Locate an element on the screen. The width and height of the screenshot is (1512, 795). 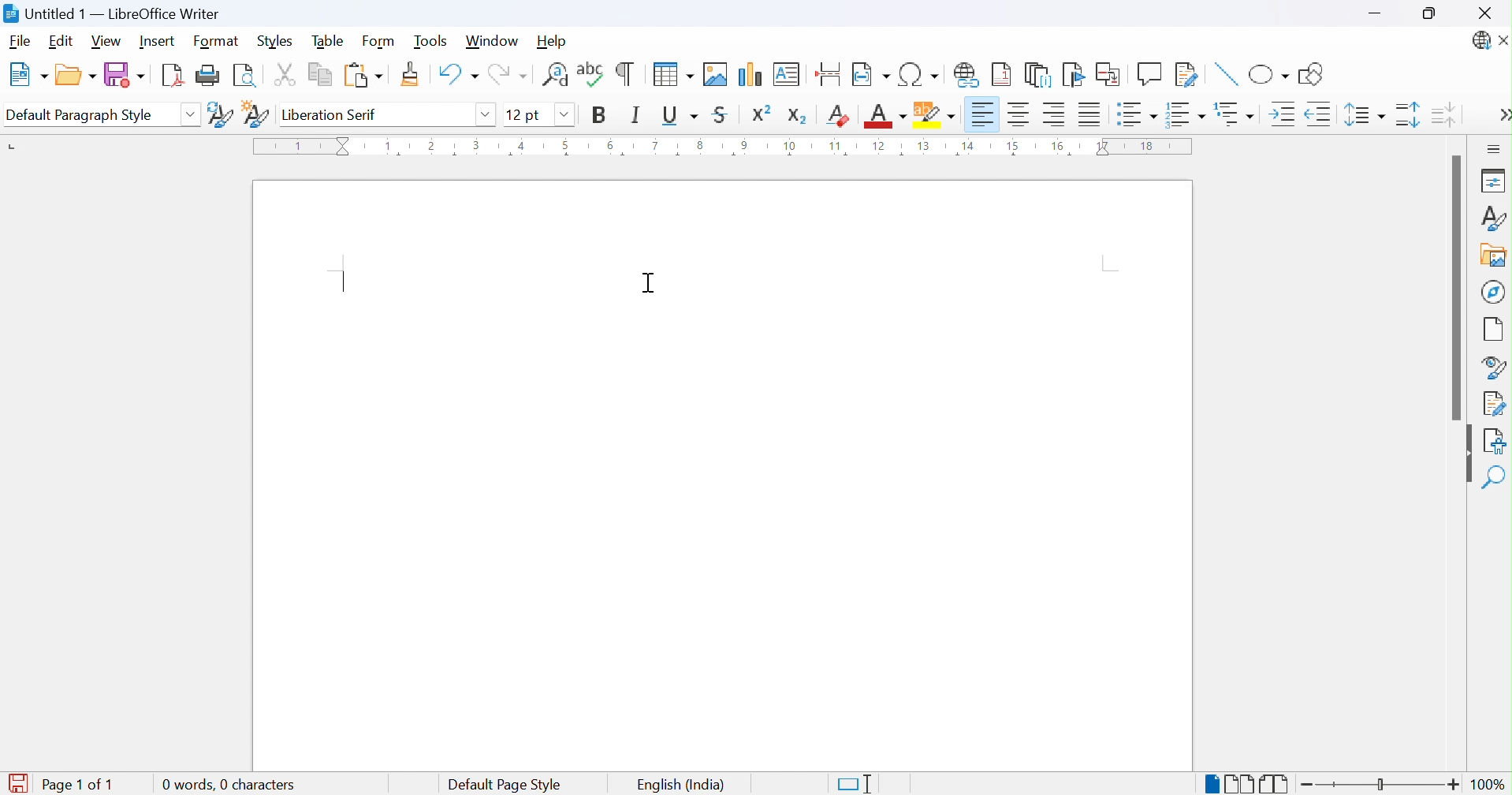
Insert special characters is located at coordinates (920, 74).